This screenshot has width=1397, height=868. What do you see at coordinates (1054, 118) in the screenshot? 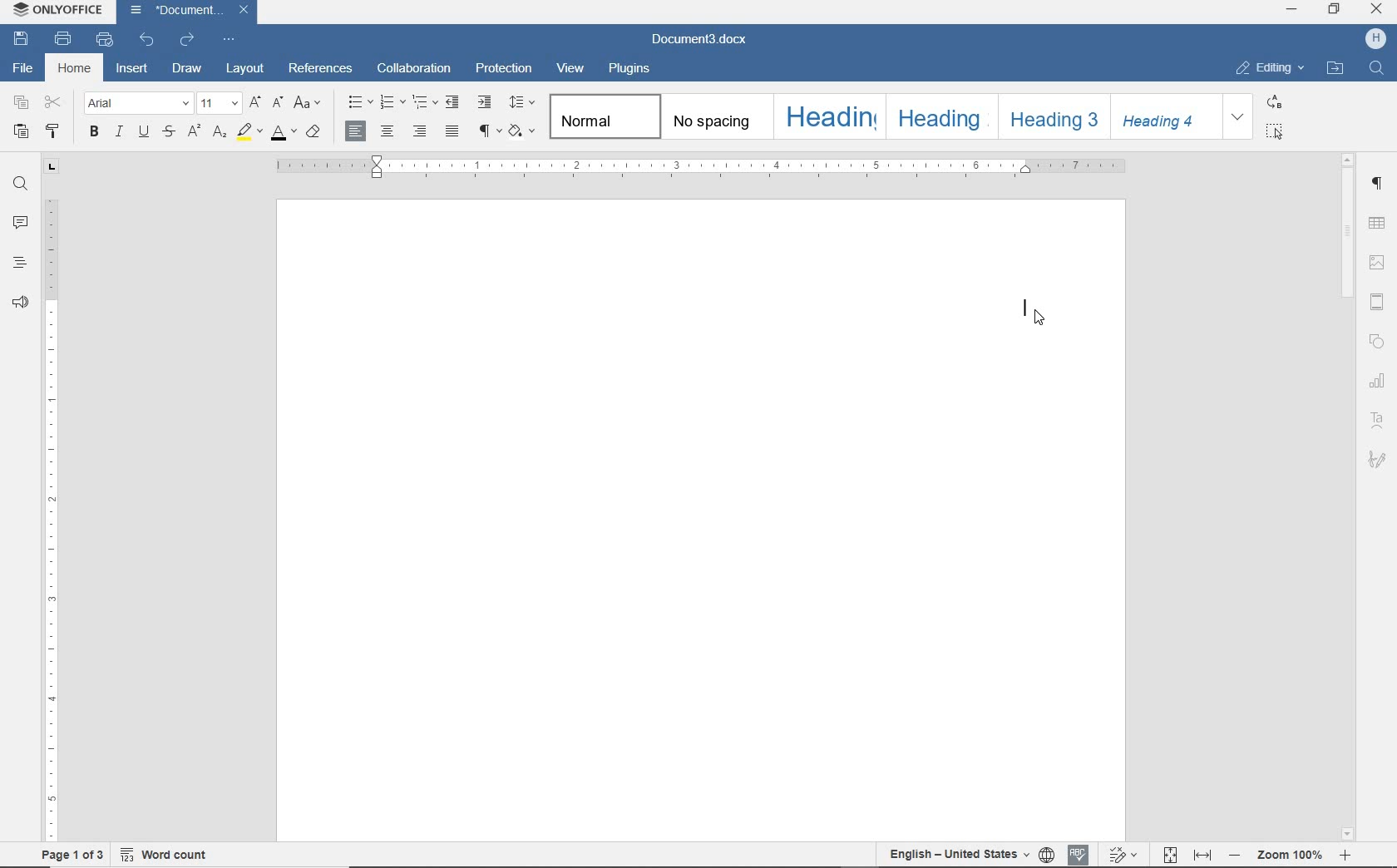
I see `HEADING 3` at bounding box center [1054, 118].